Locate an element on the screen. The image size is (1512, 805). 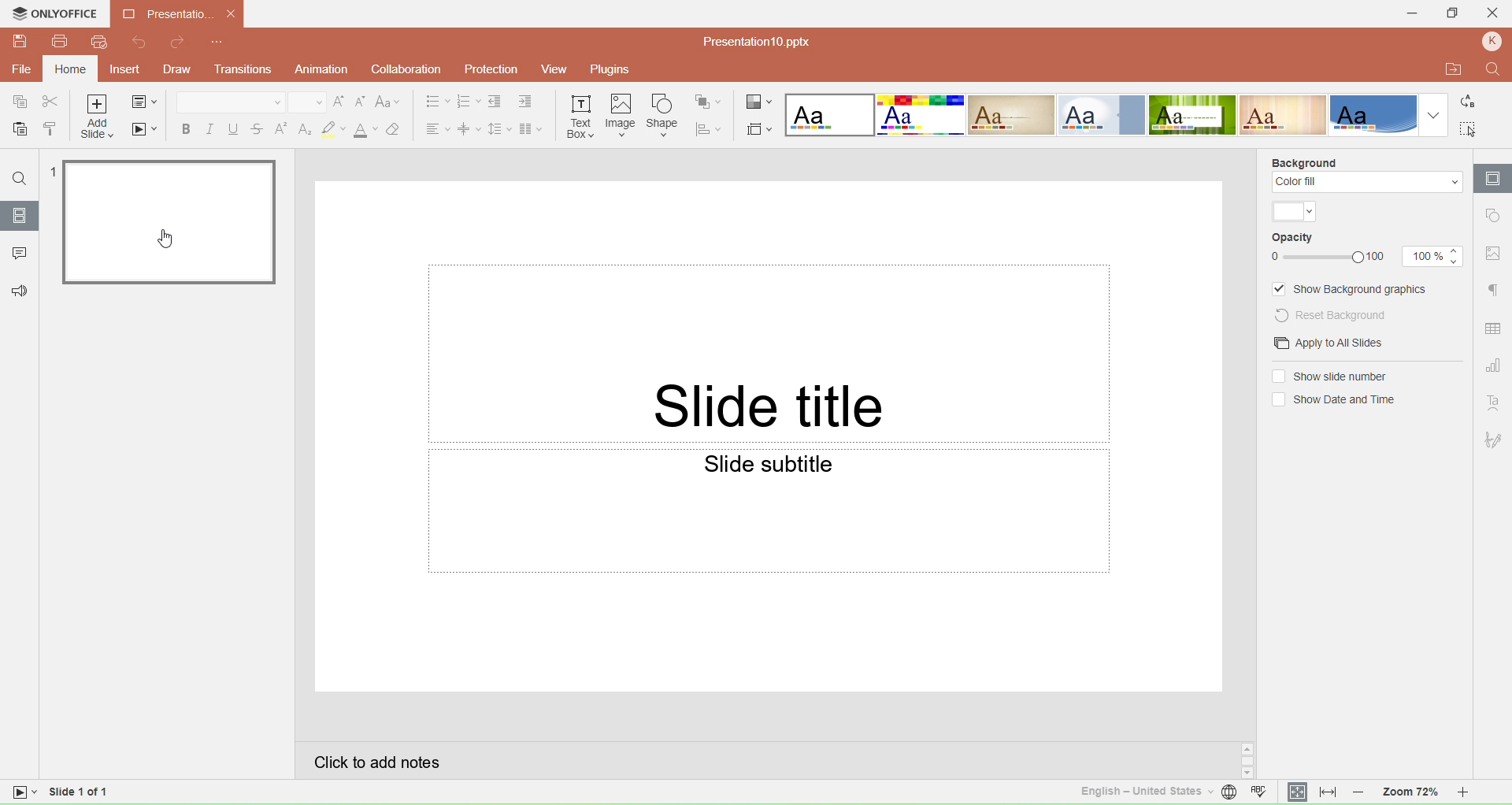
Increase indent is located at coordinates (527, 103).